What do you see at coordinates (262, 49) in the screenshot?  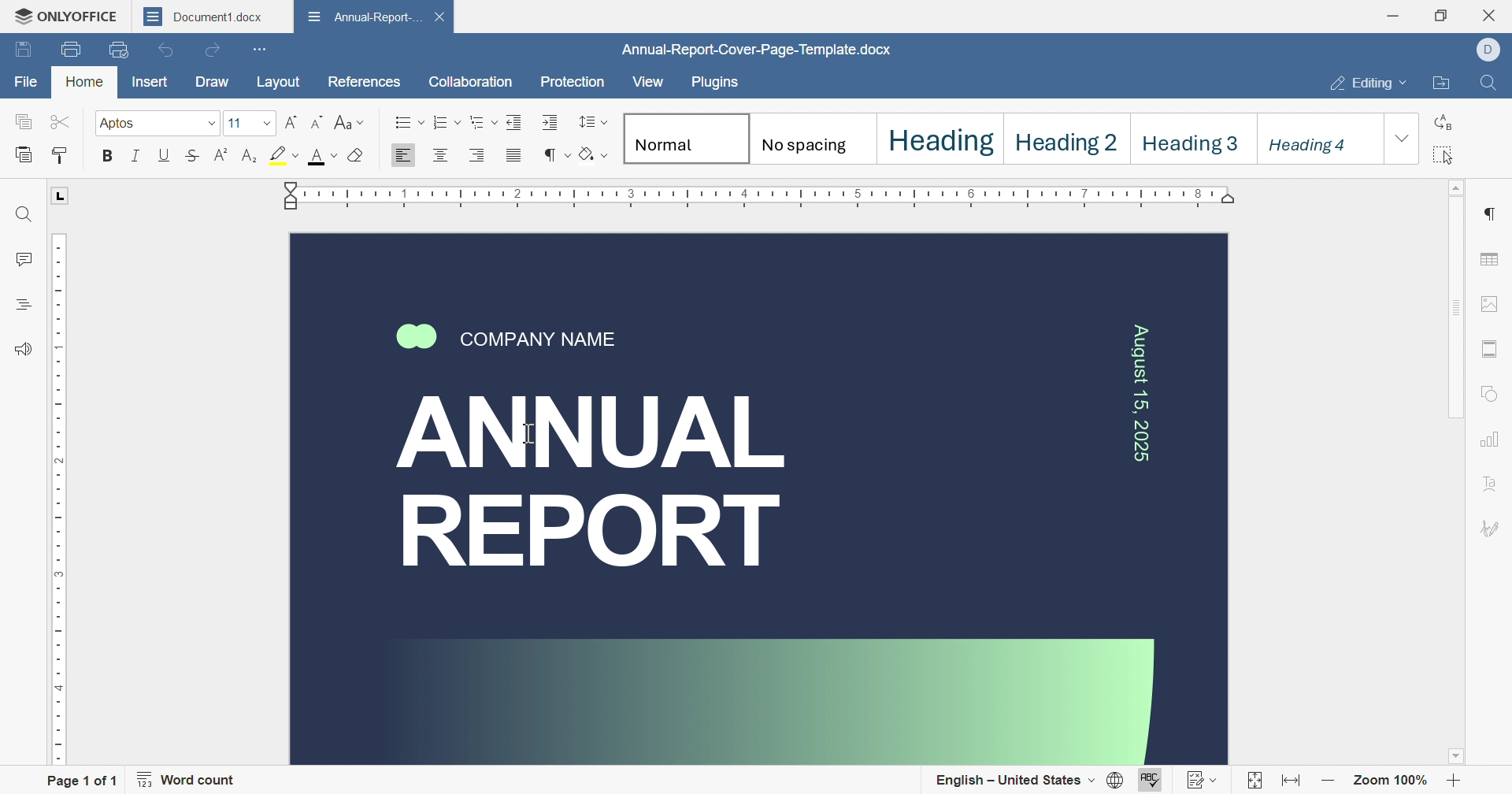 I see `customize quick access settings` at bounding box center [262, 49].